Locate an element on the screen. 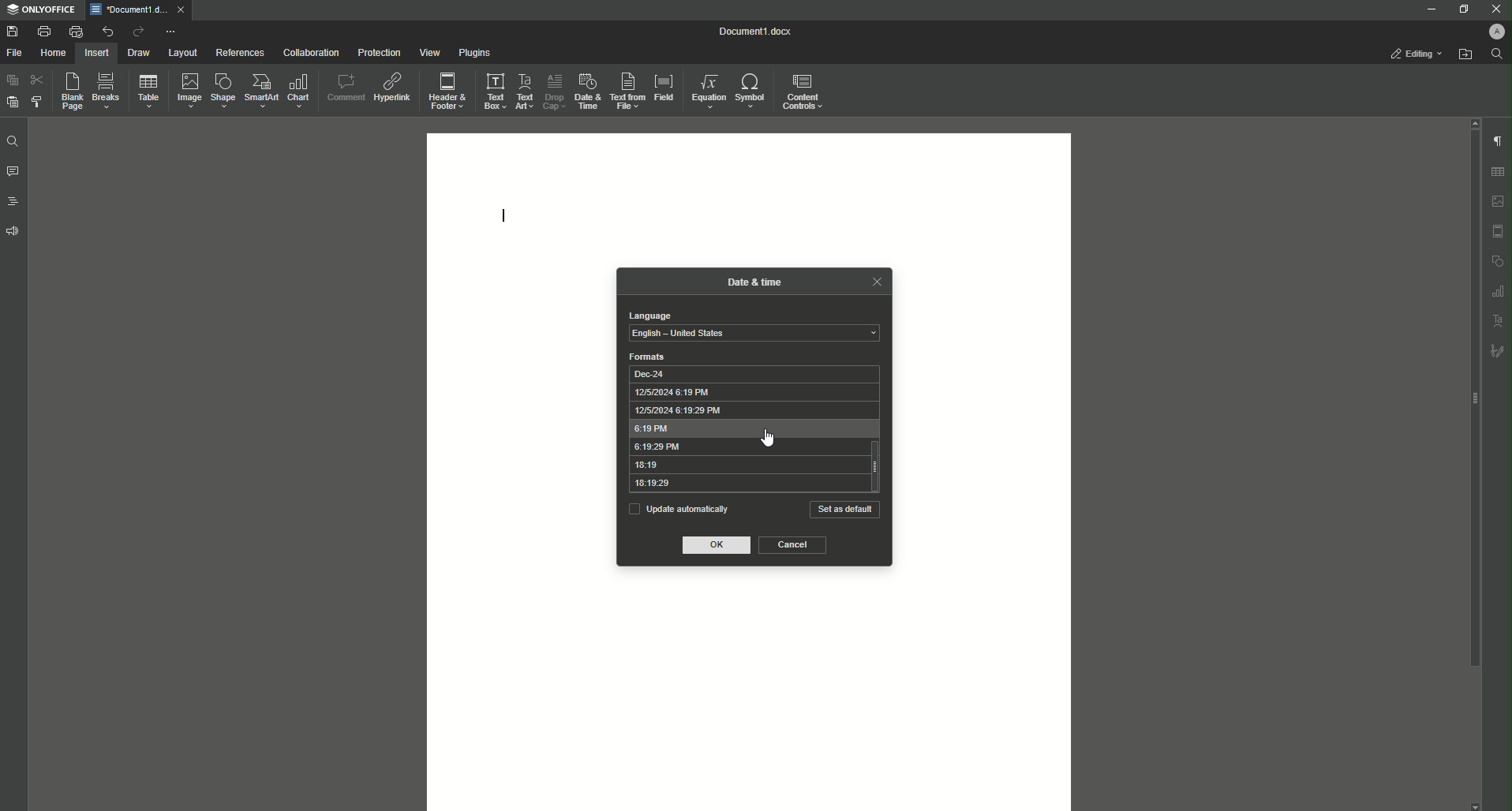  18:19:29 is located at coordinates (745, 484).